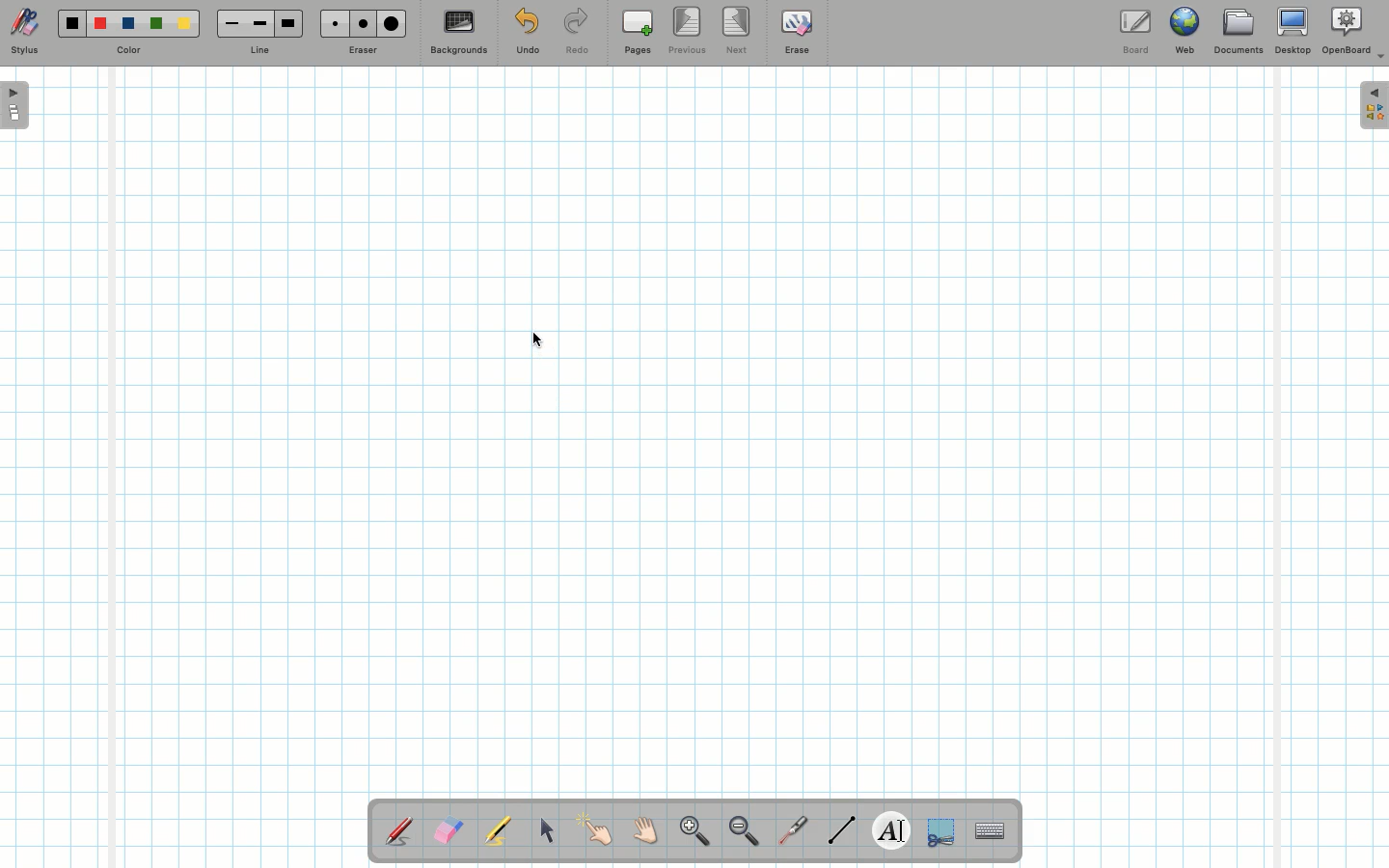 Image resolution: width=1389 pixels, height=868 pixels. What do you see at coordinates (392, 23) in the screenshot?
I see `Large eraser` at bounding box center [392, 23].